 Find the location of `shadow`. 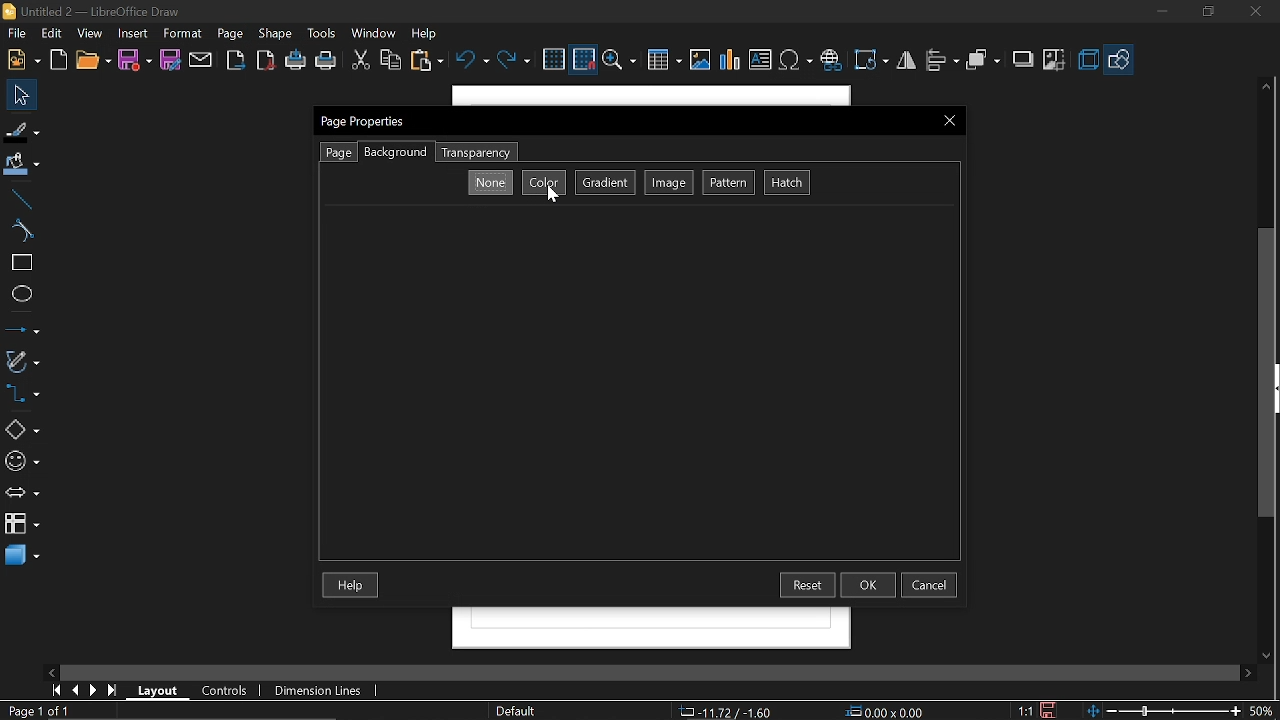

shadow is located at coordinates (1022, 59).